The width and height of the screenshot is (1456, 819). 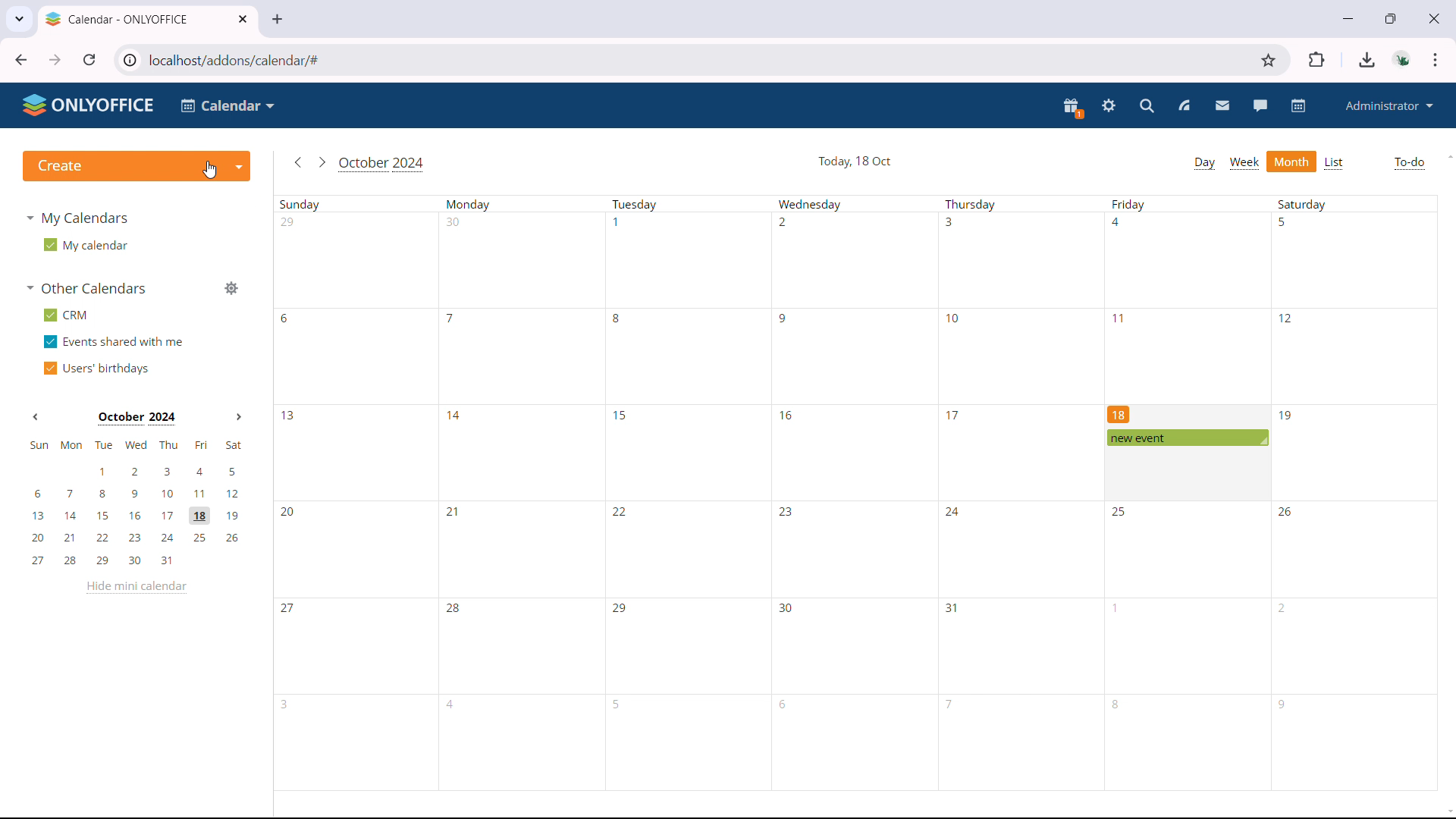 What do you see at coordinates (136, 419) in the screenshot?
I see `October 2024` at bounding box center [136, 419].